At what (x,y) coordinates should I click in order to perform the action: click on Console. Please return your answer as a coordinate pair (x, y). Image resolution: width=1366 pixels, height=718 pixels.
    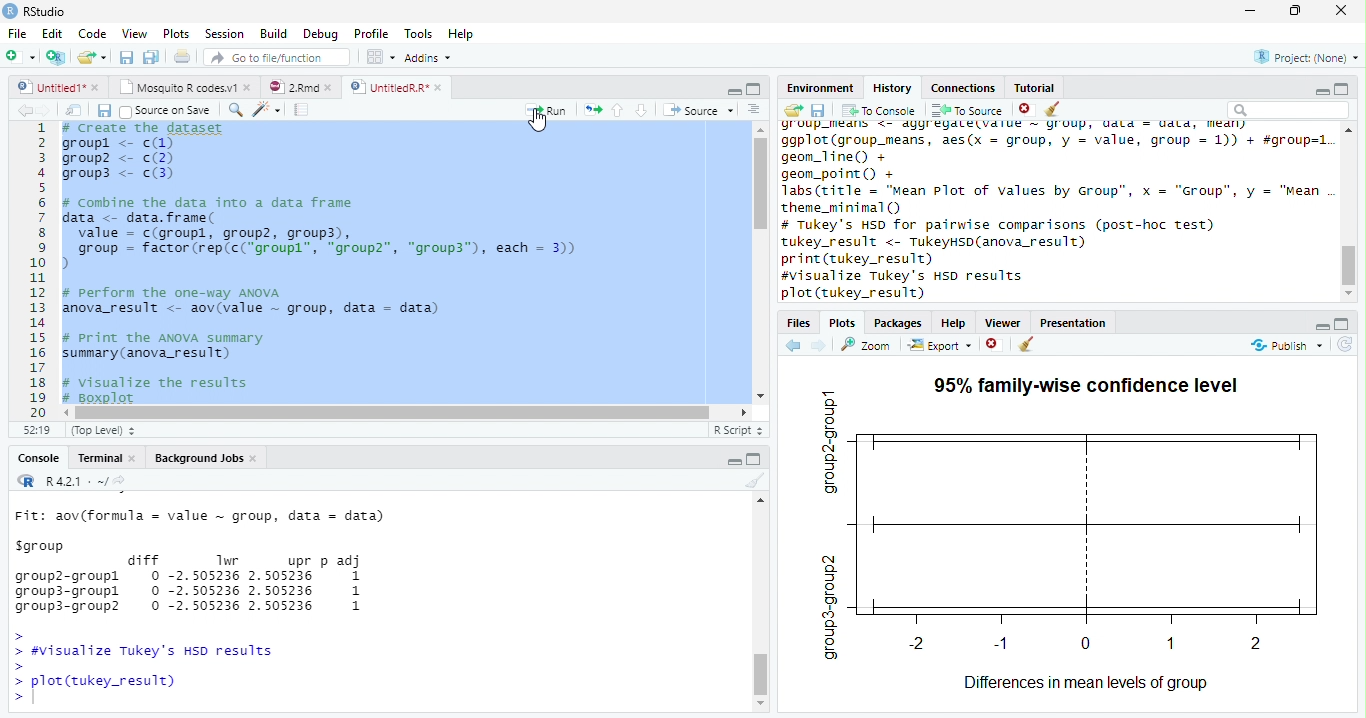
    Looking at the image, I should click on (38, 460).